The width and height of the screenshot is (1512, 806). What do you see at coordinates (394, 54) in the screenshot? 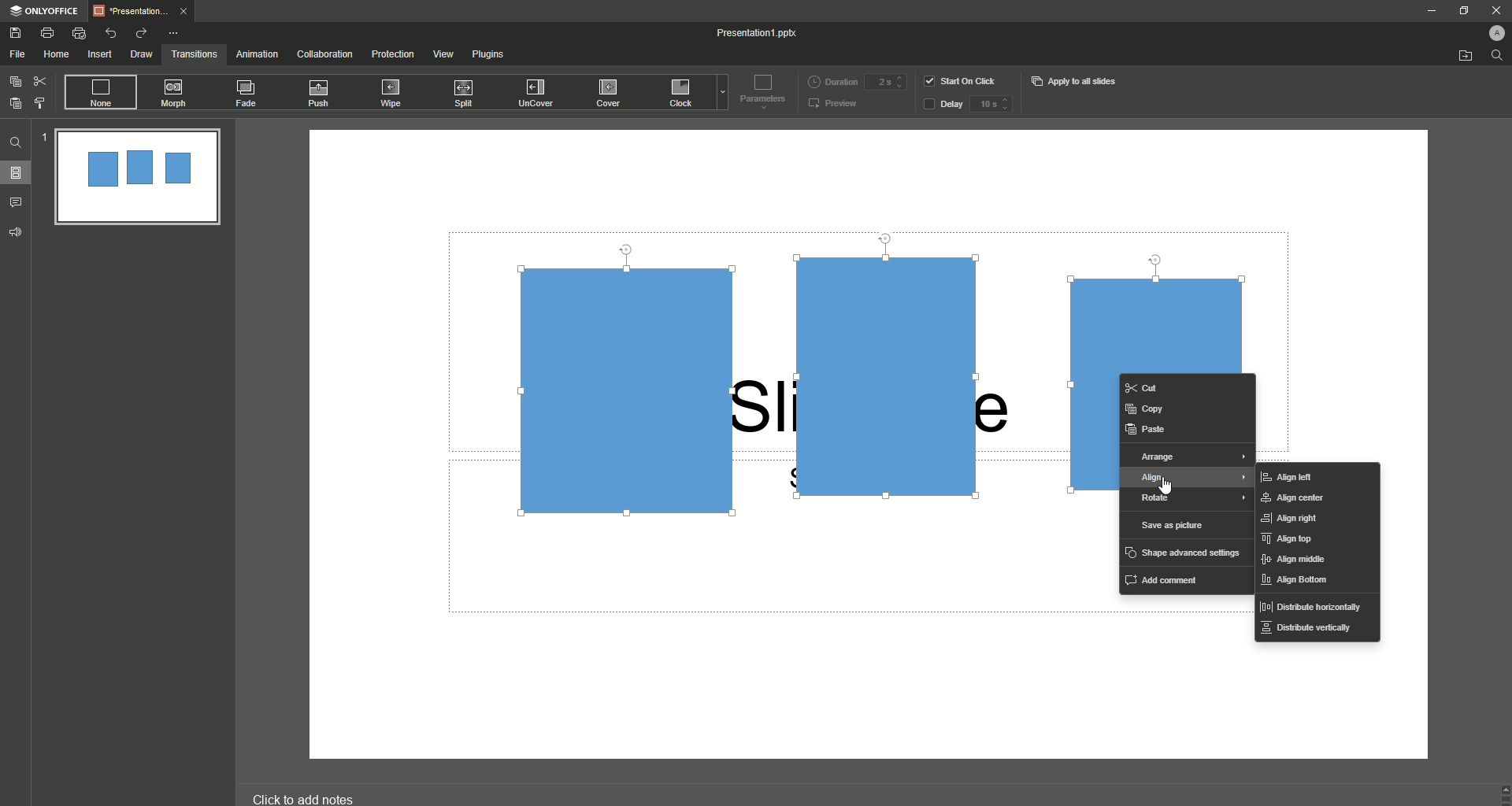
I see `Protection` at bounding box center [394, 54].